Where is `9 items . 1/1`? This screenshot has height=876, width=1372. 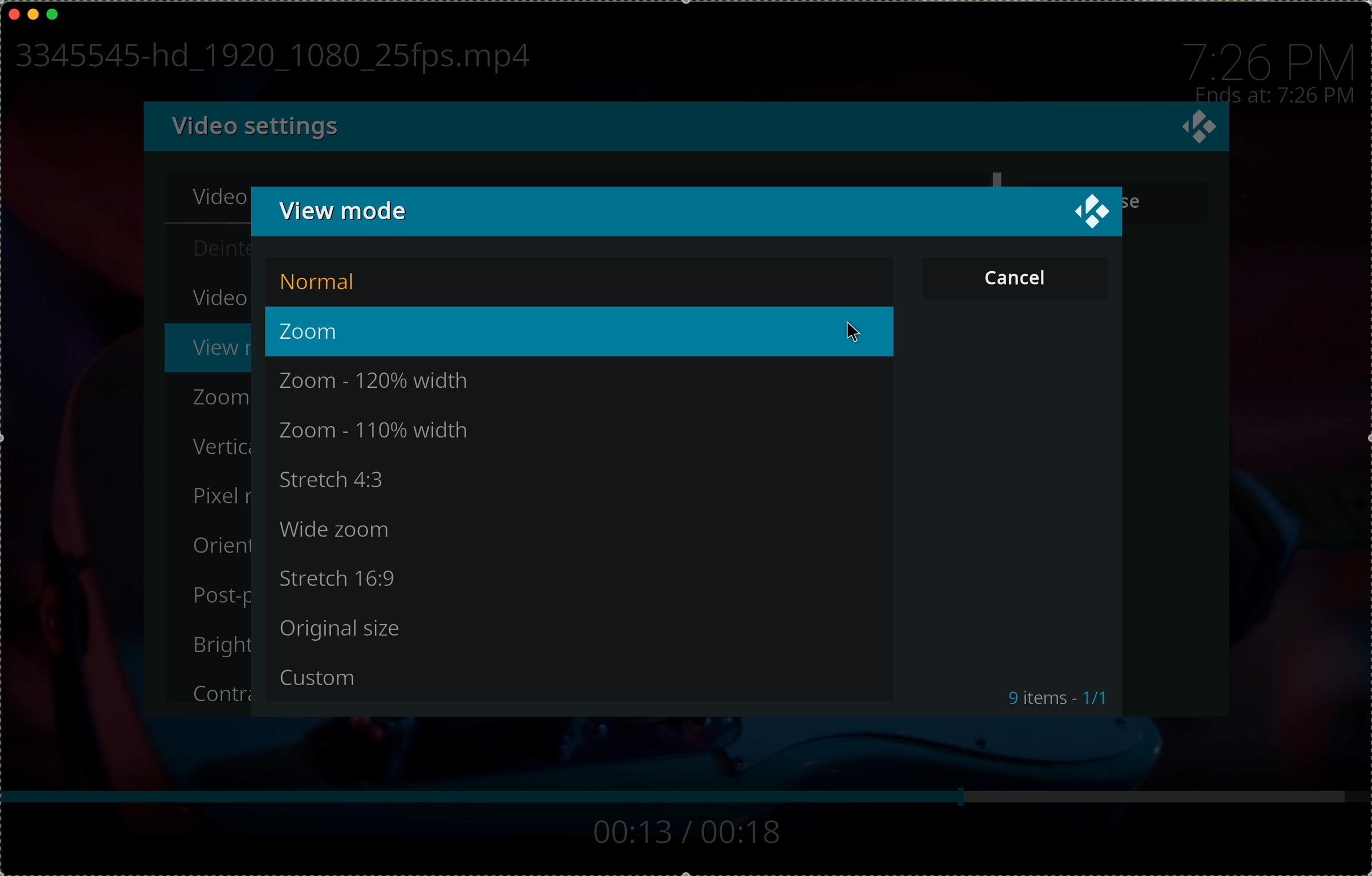 9 items . 1/1 is located at coordinates (1059, 698).